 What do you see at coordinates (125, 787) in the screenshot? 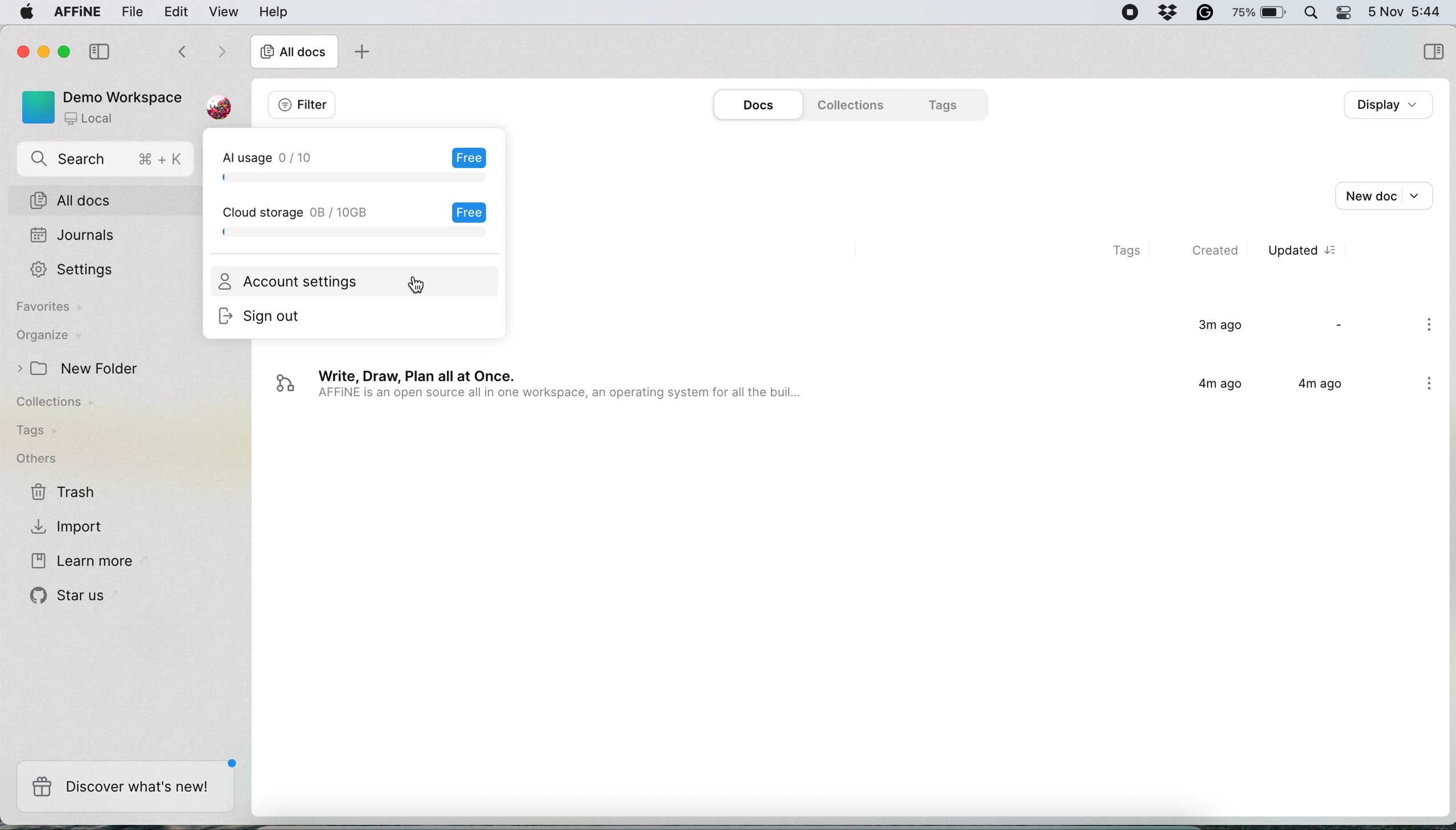
I see `discover what's new` at bounding box center [125, 787].